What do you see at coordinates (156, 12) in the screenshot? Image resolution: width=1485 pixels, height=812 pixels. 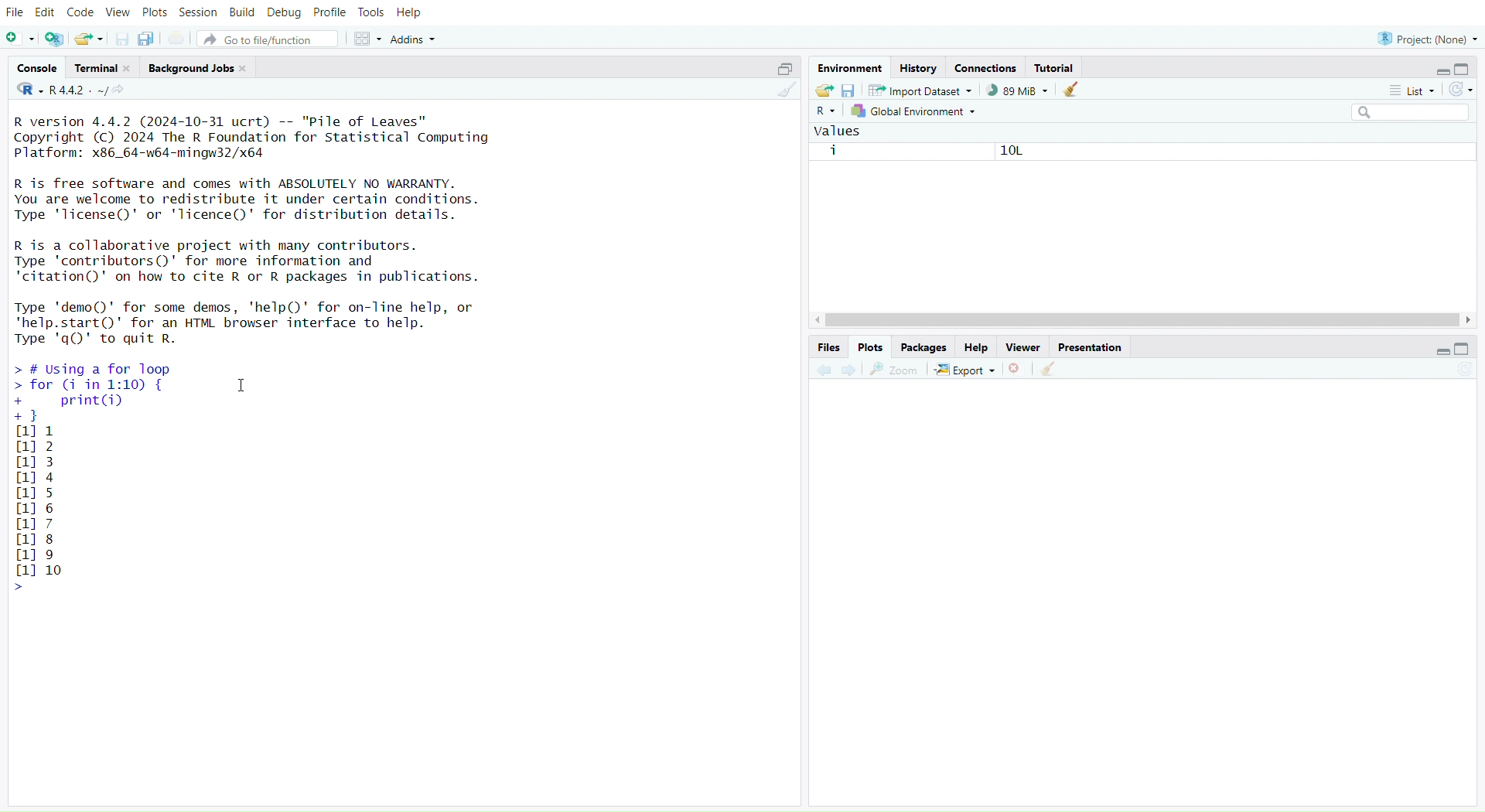 I see `plots` at bounding box center [156, 12].